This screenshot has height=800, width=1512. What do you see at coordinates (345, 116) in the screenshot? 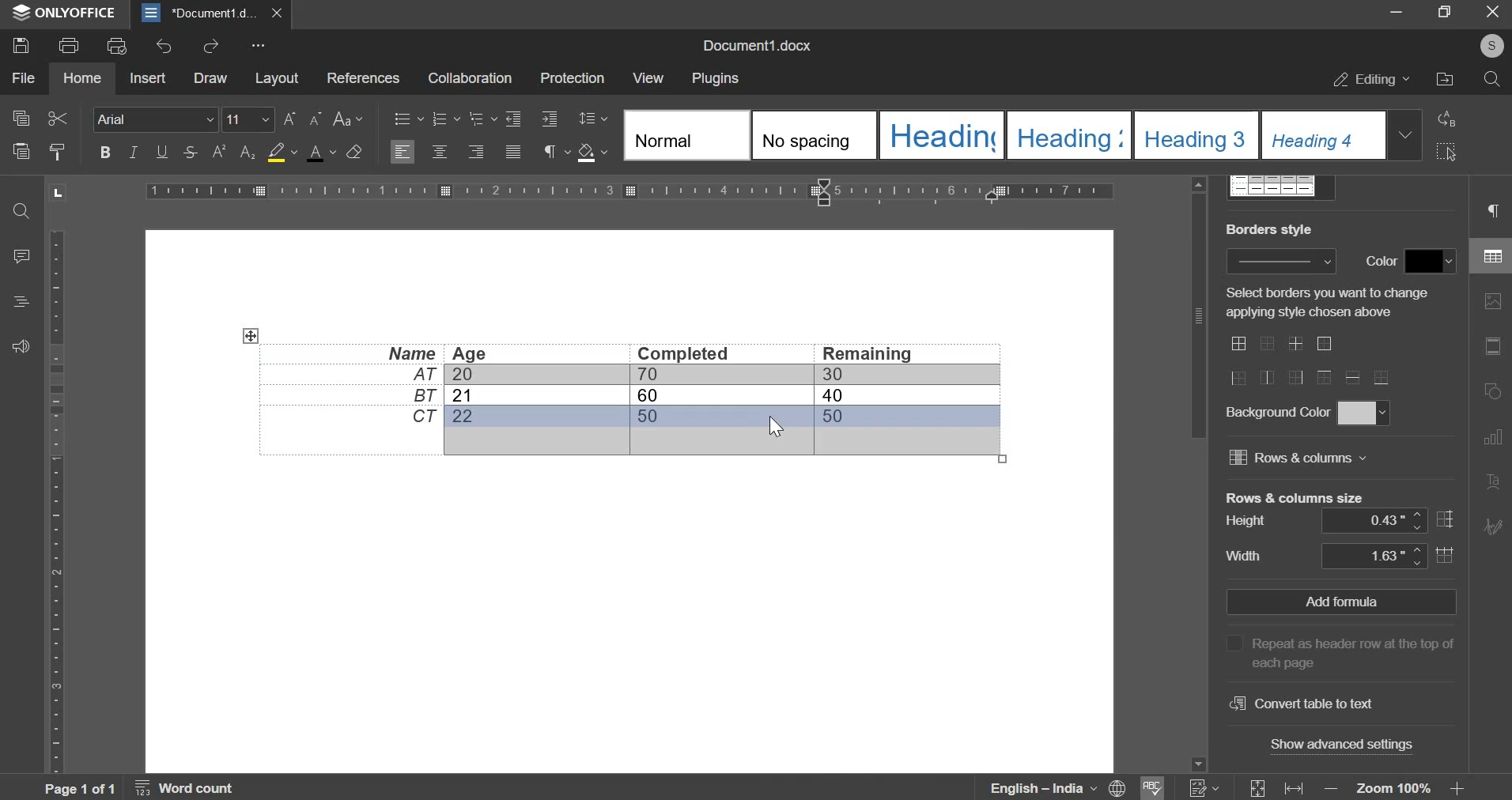
I see `change case` at bounding box center [345, 116].